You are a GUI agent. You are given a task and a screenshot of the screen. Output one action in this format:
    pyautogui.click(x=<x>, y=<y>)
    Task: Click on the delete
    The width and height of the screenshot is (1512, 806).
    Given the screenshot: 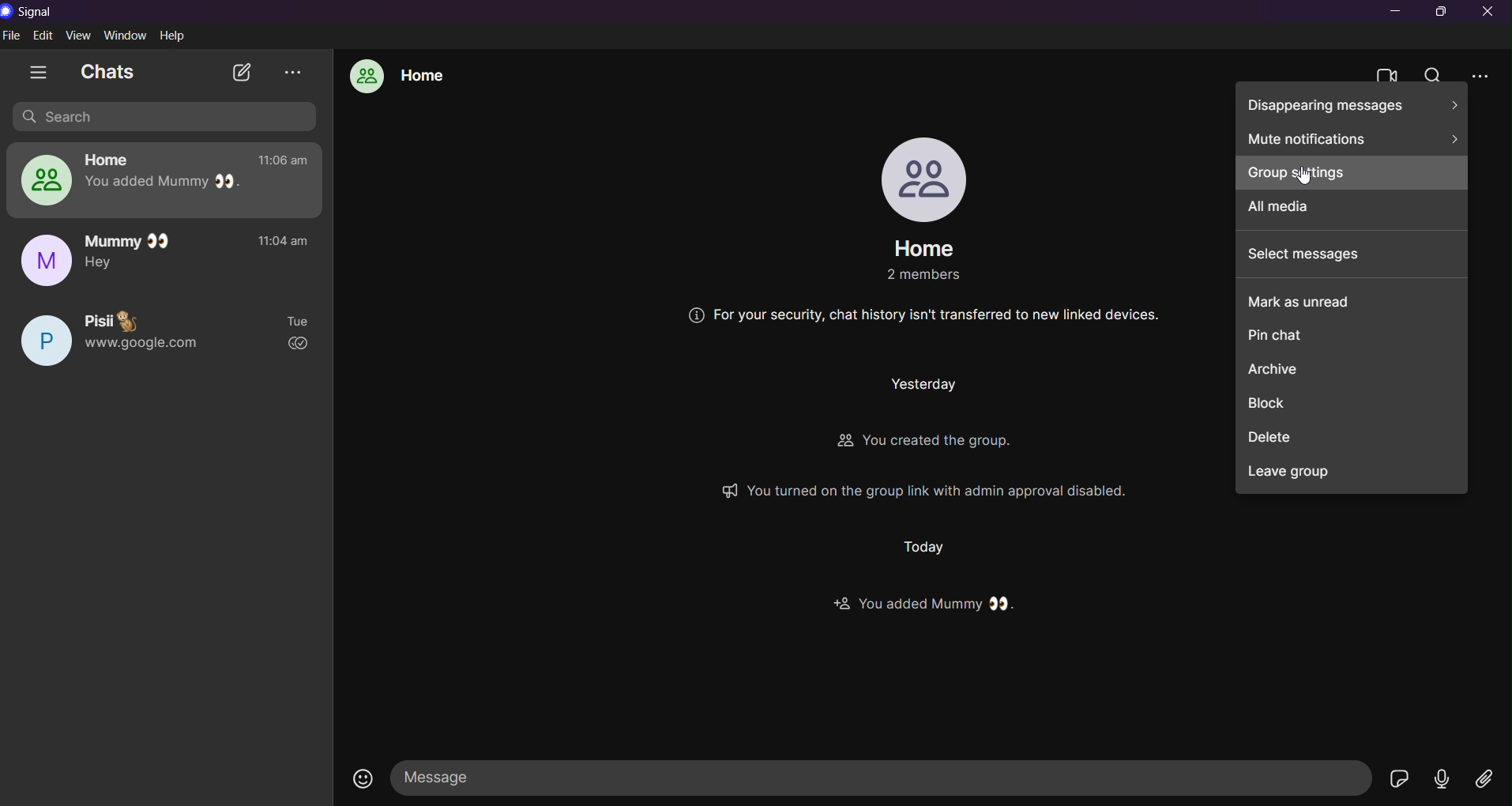 What is the action you would take?
    pyautogui.click(x=1351, y=440)
    